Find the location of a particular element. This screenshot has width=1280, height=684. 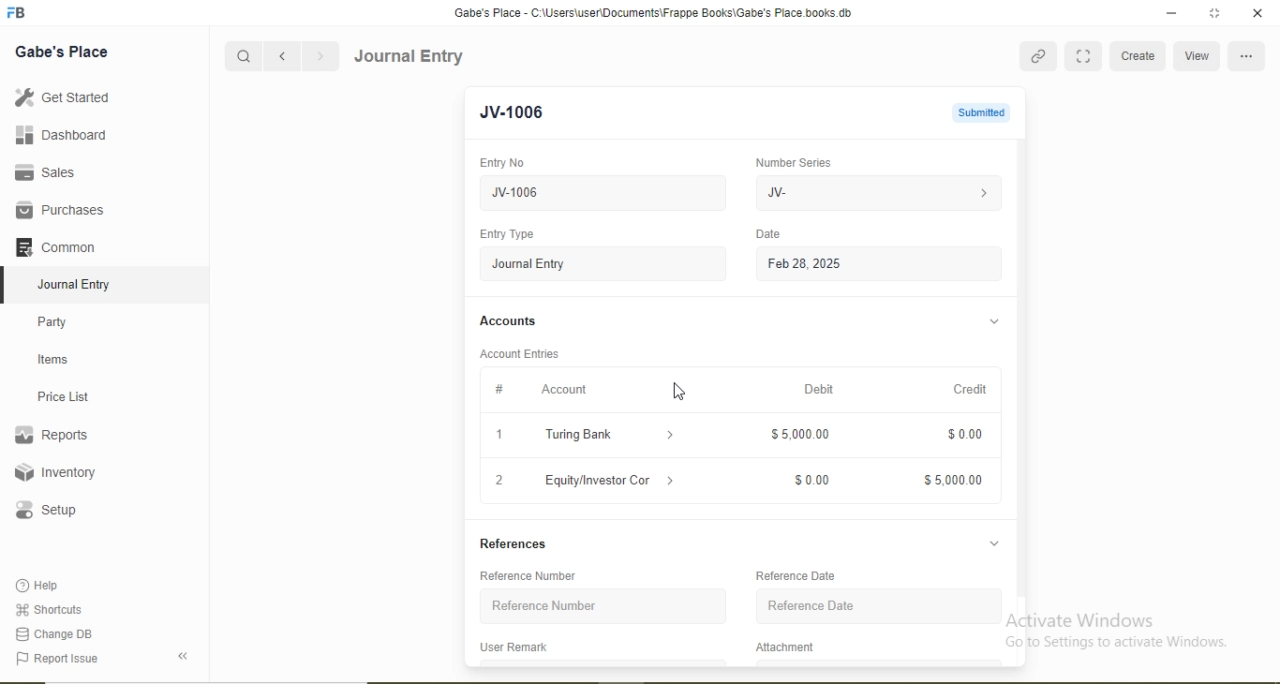

Reference Number is located at coordinates (545, 605).